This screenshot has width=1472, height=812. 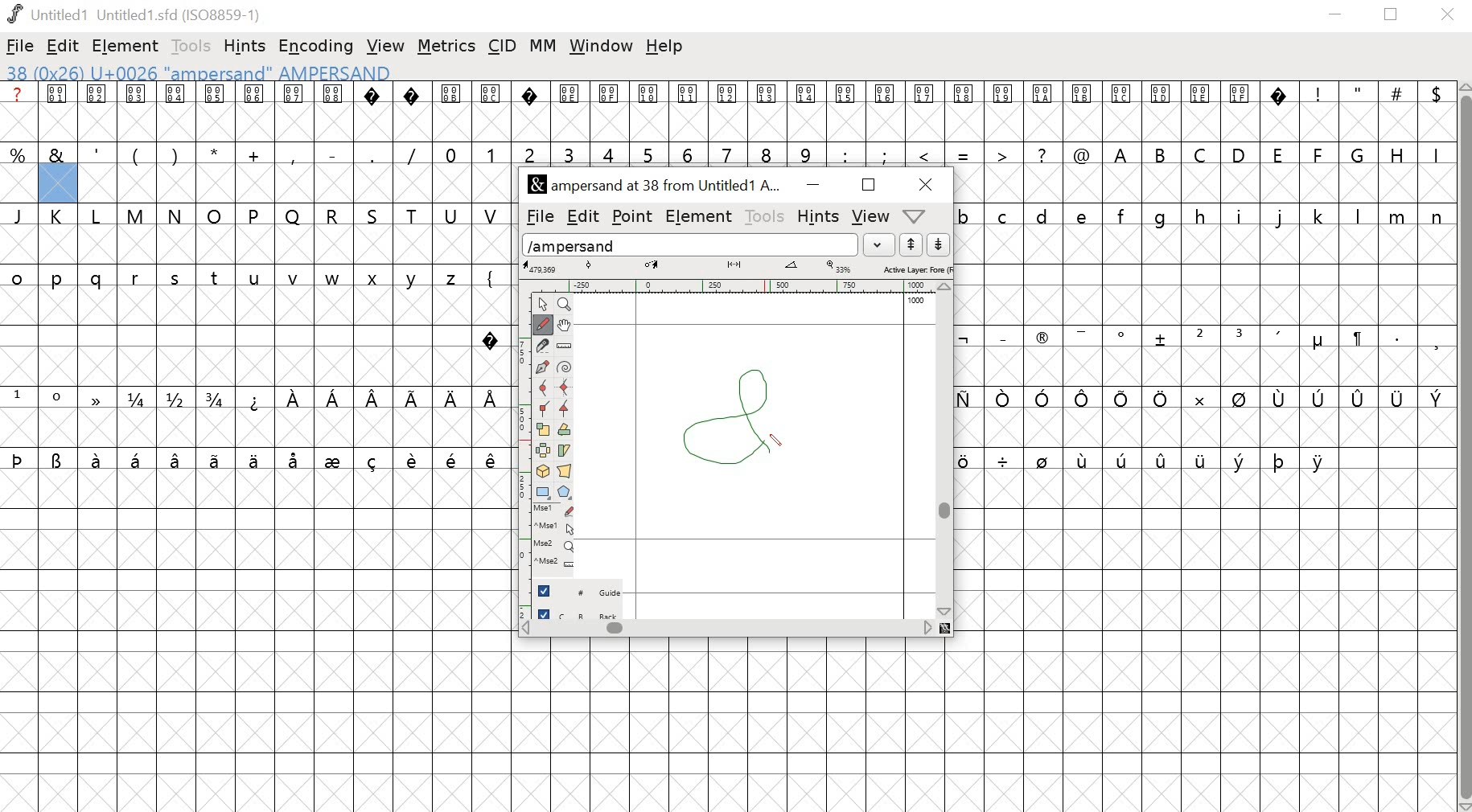 I want to click on 0, so click(x=452, y=153).